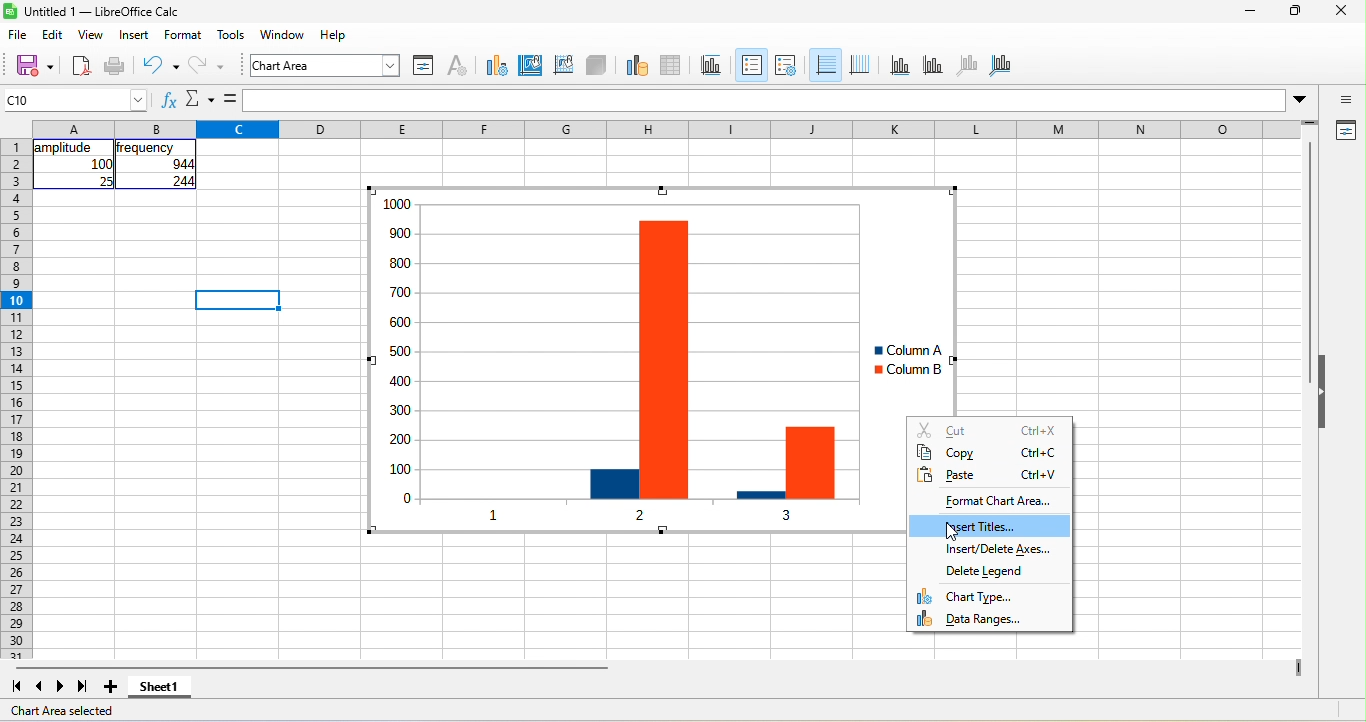 The image size is (1366, 722). Describe the element at coordinates (666, 129) in the screenshot. I see `column headings` at that location.